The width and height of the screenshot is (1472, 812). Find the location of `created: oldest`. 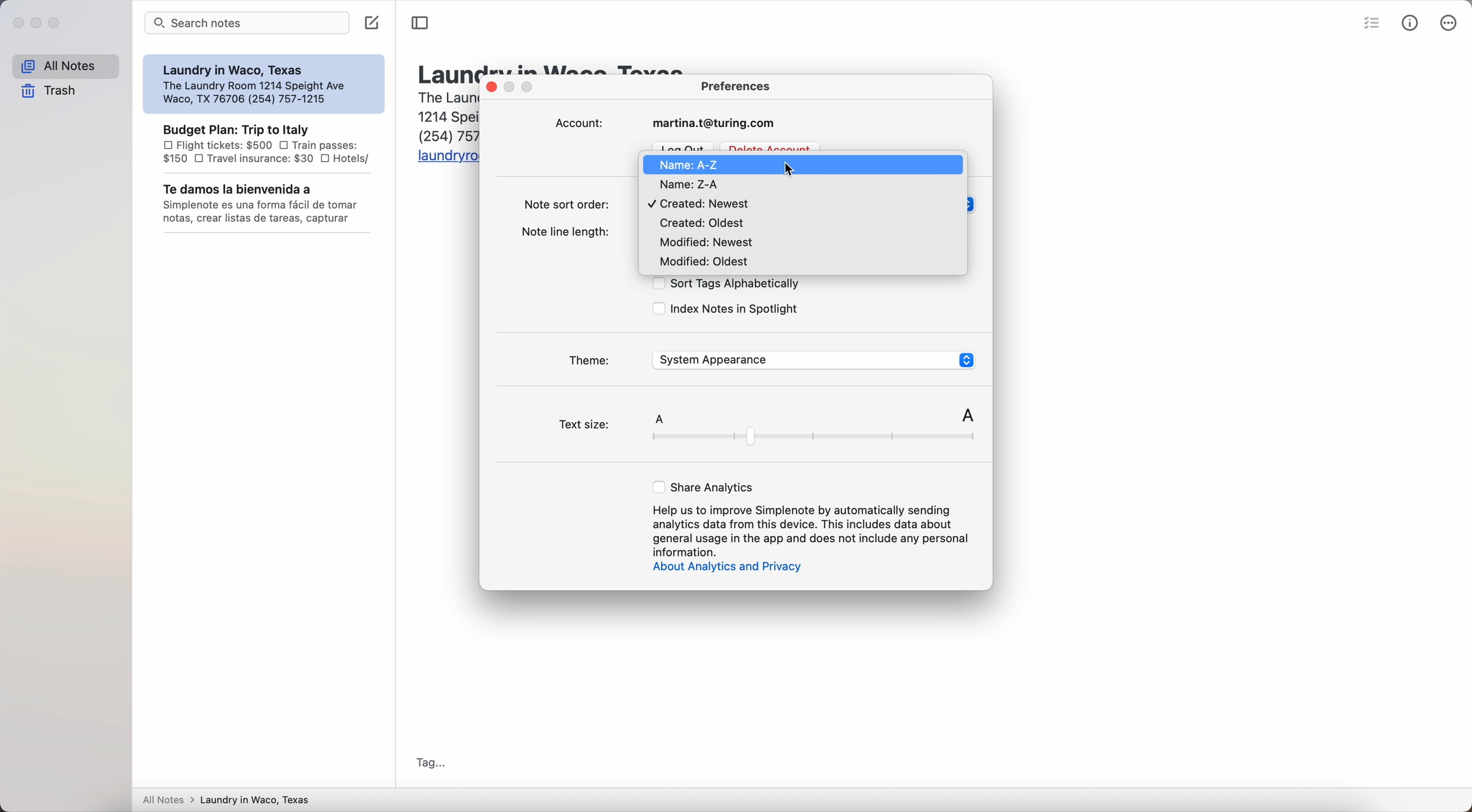

created: oldest is located at coordinates (706, 225).